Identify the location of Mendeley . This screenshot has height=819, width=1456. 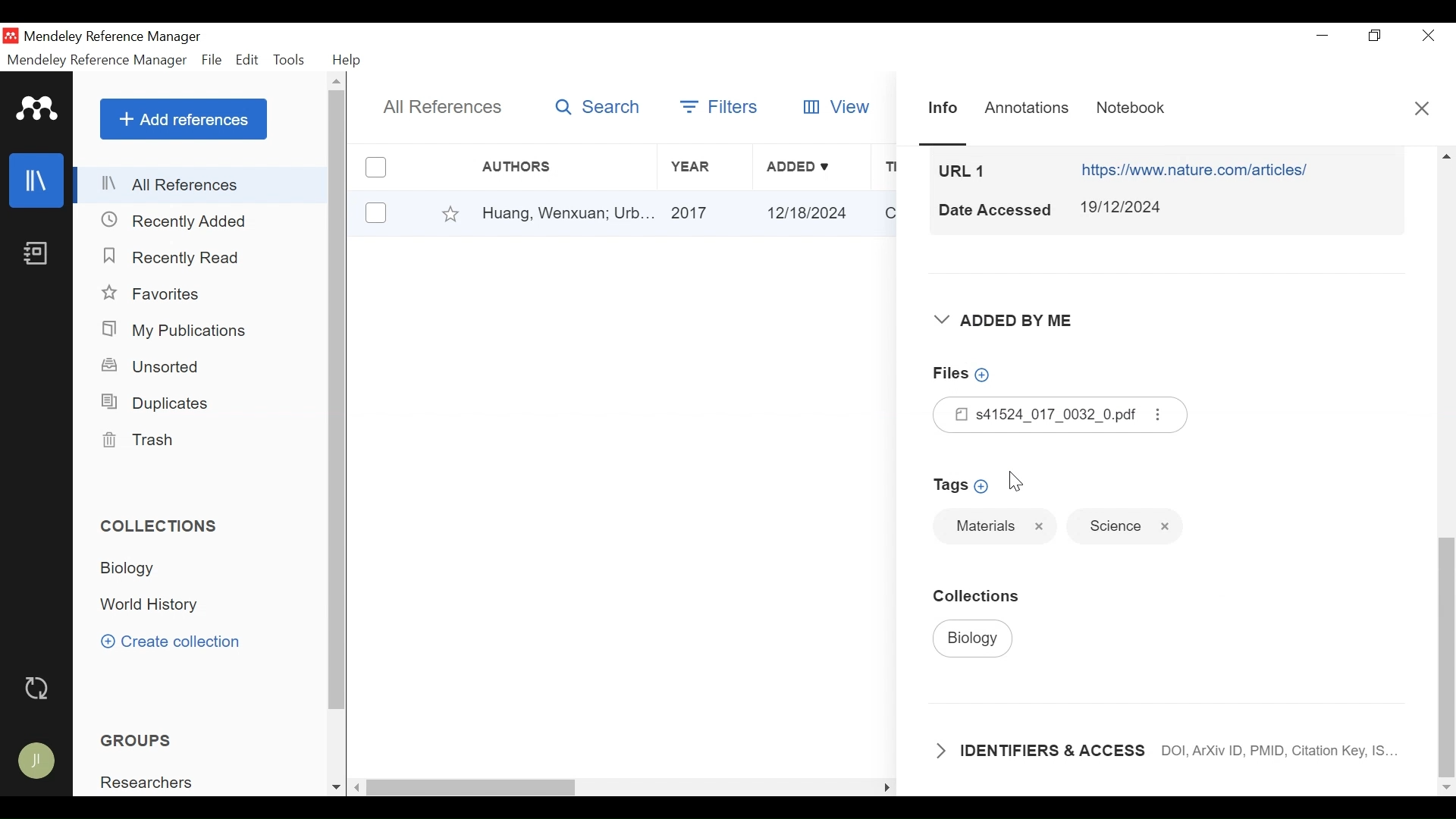
(37, 109).